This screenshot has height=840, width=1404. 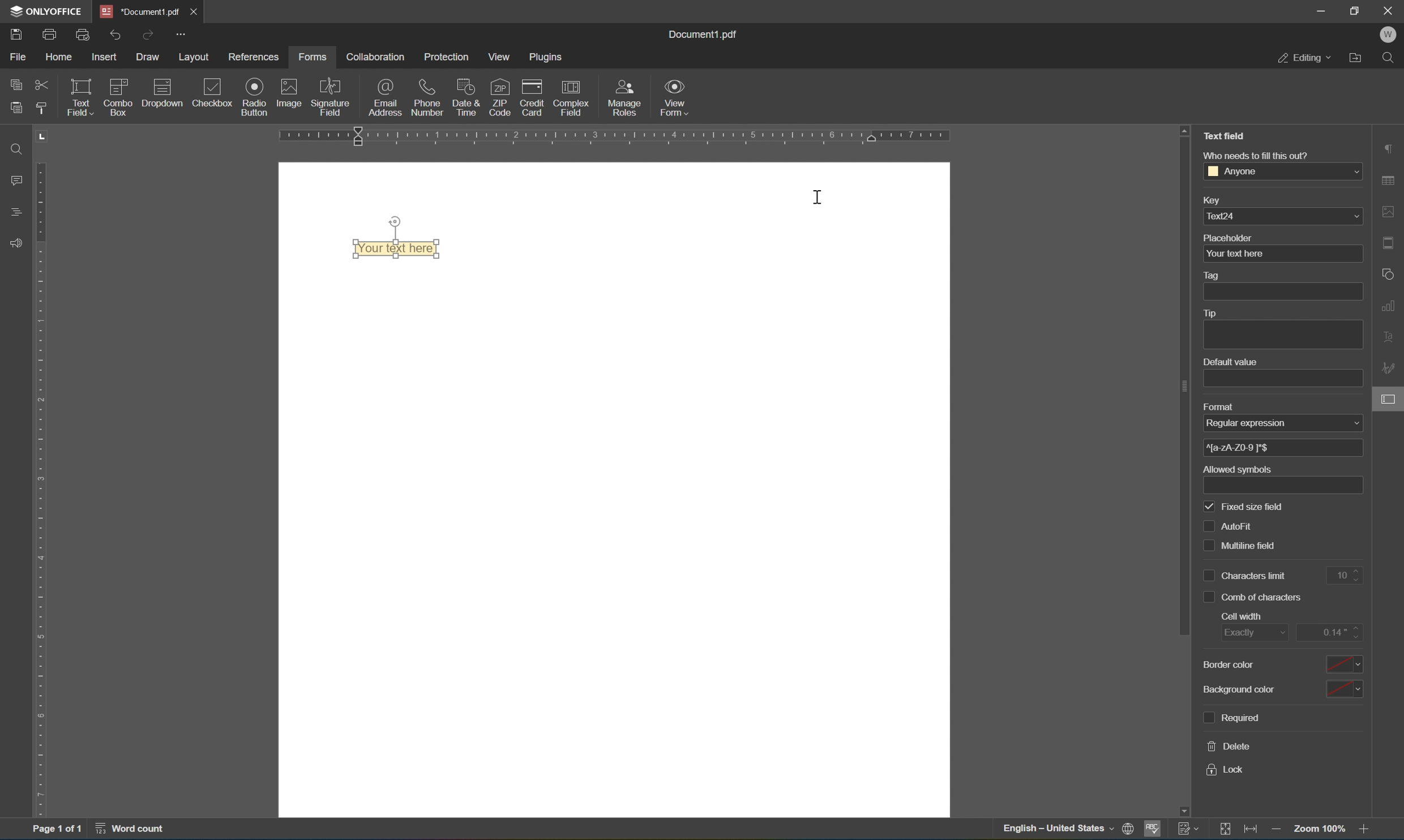 I want to click on cut, so click(x=42, y=86).